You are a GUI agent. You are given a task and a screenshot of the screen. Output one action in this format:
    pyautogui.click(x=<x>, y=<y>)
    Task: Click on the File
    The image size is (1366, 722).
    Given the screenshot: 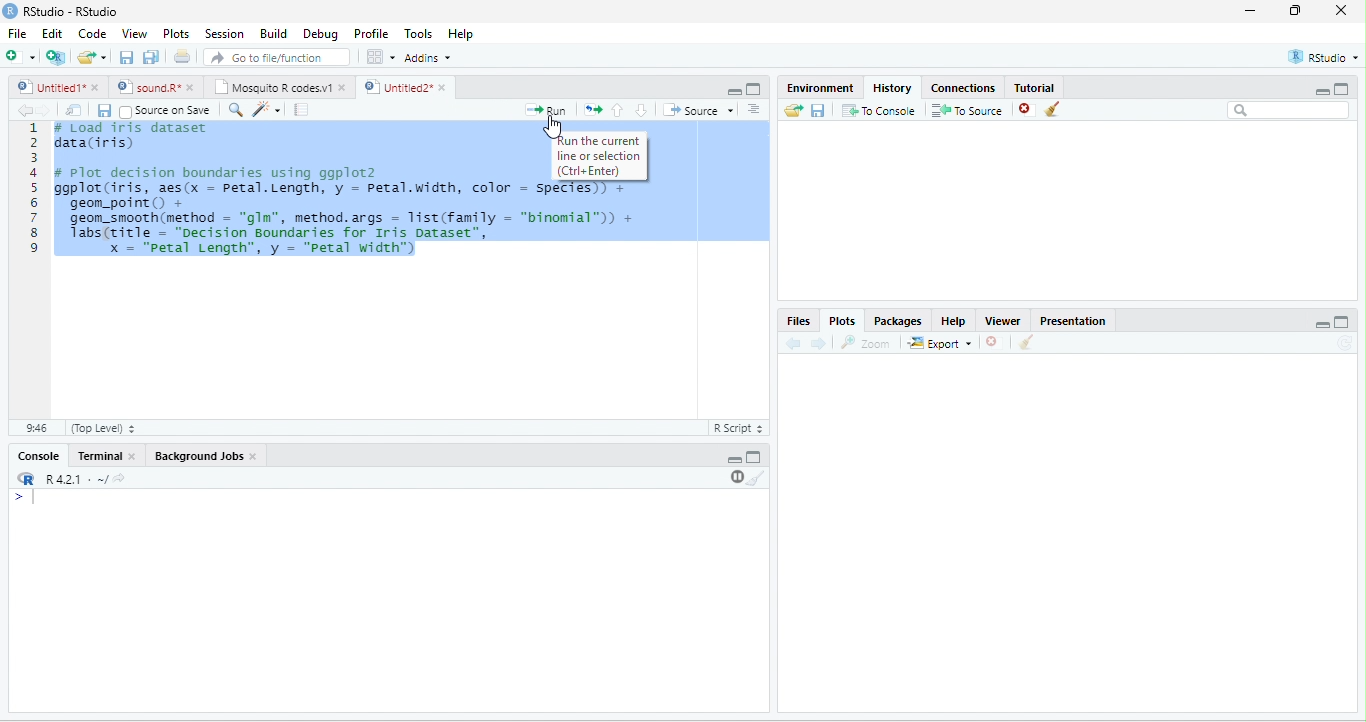 What is the action you would take?
    pyautogui.click(x=17, y=33)
    